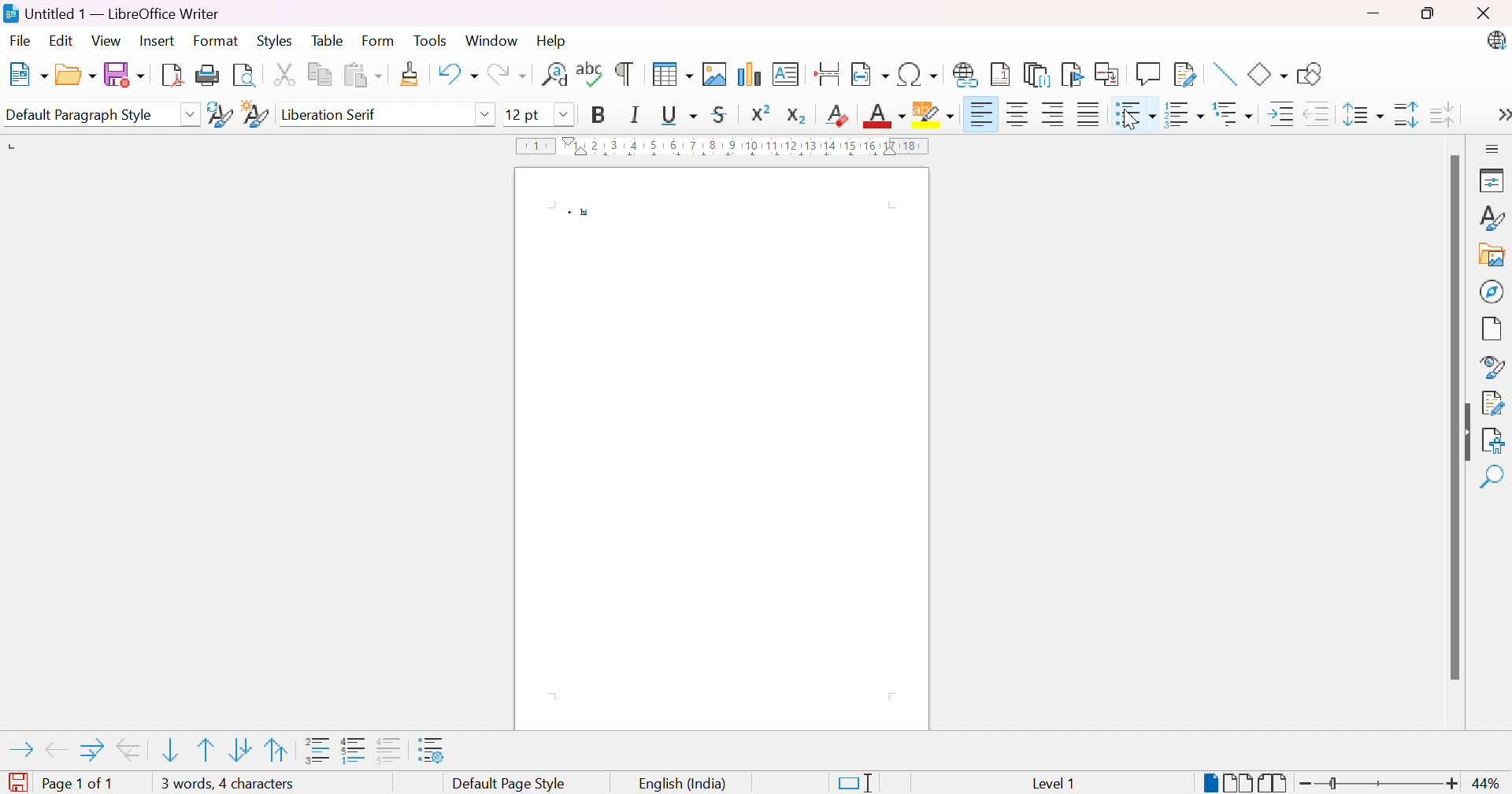 This screenshot has height=794, width=1512. I want to click on Insert field, so click(870, 76).